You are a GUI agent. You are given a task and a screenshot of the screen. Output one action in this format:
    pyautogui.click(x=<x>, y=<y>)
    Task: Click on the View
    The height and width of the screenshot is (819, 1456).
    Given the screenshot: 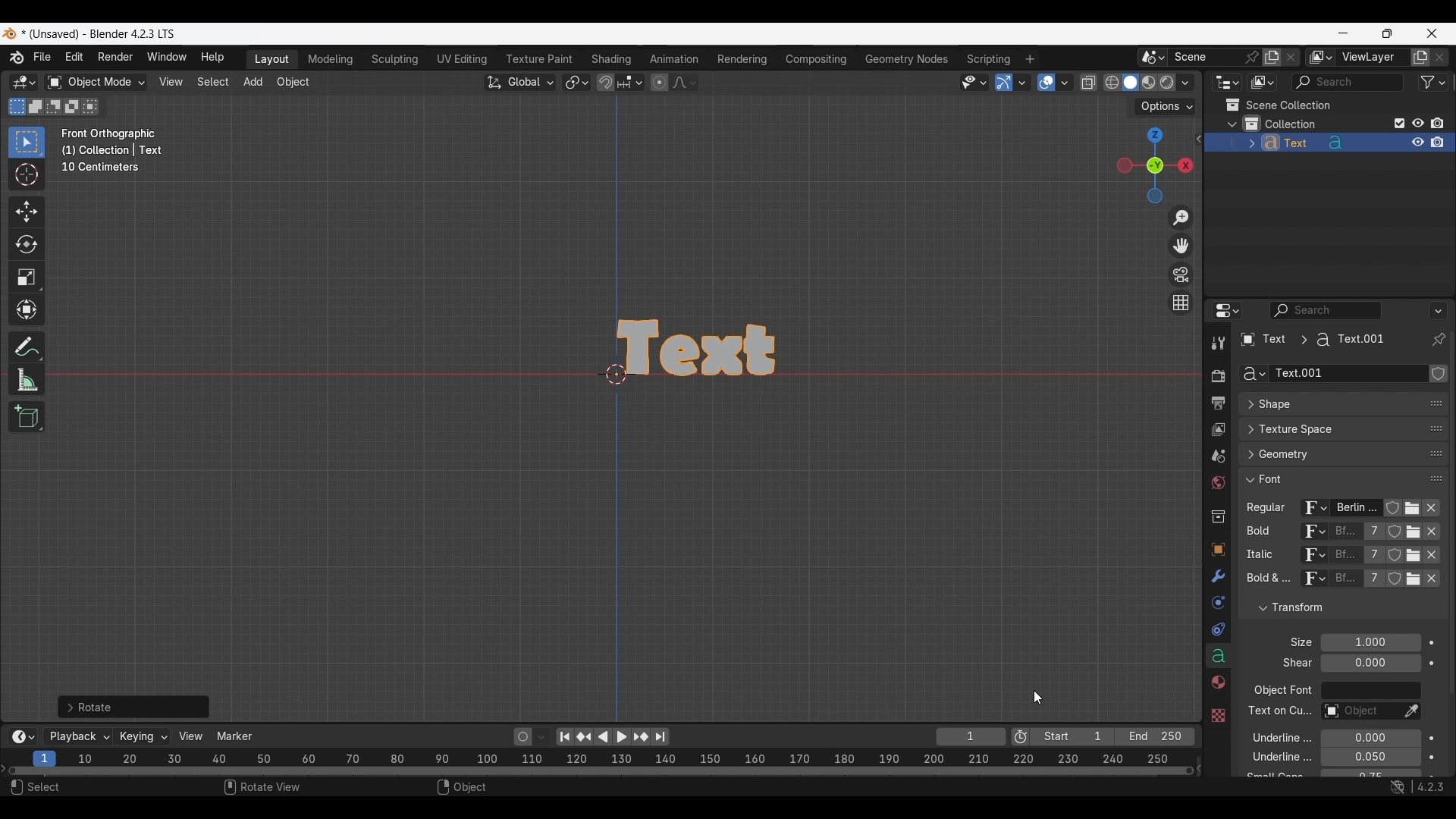 What is the action you would take?
    pyautogui.click(x=191, y=736)
    